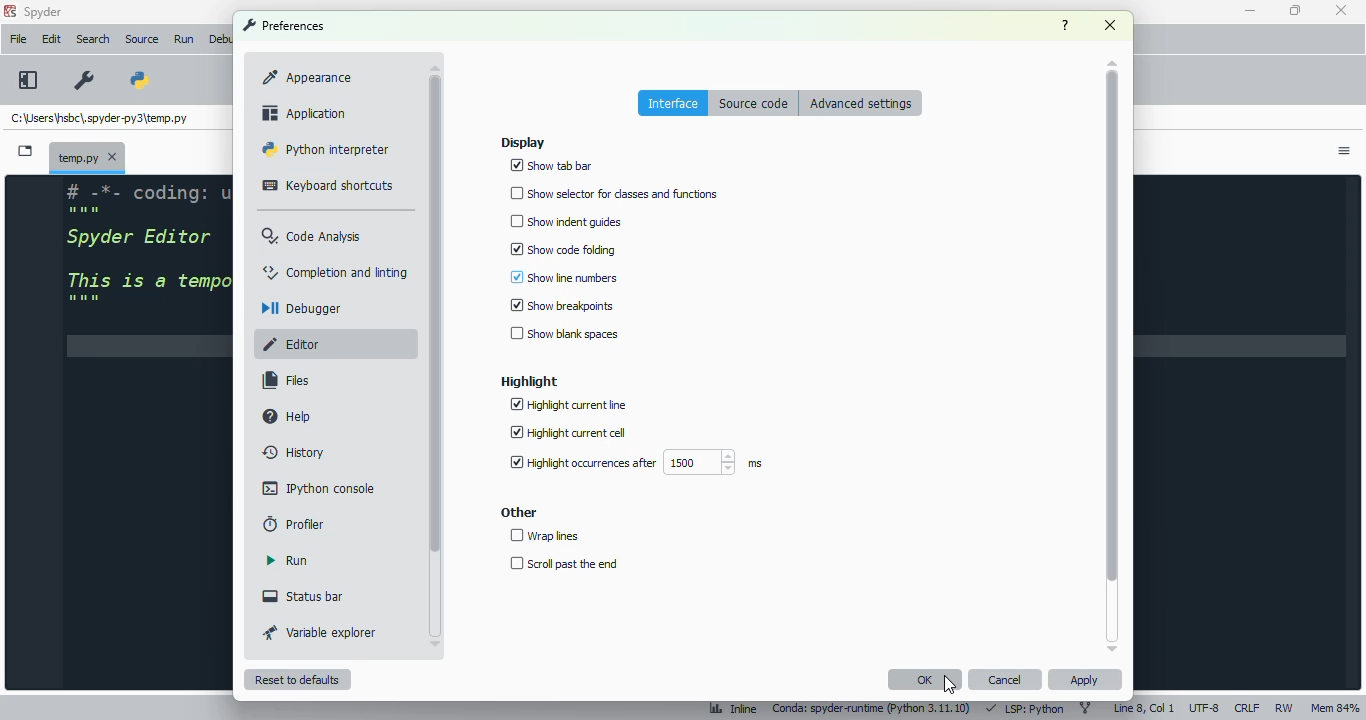 This screenshot has width=1366, height=720. Describe the element at coordinates (563, 248) in the screenshot. I see `show code folding` at that location.